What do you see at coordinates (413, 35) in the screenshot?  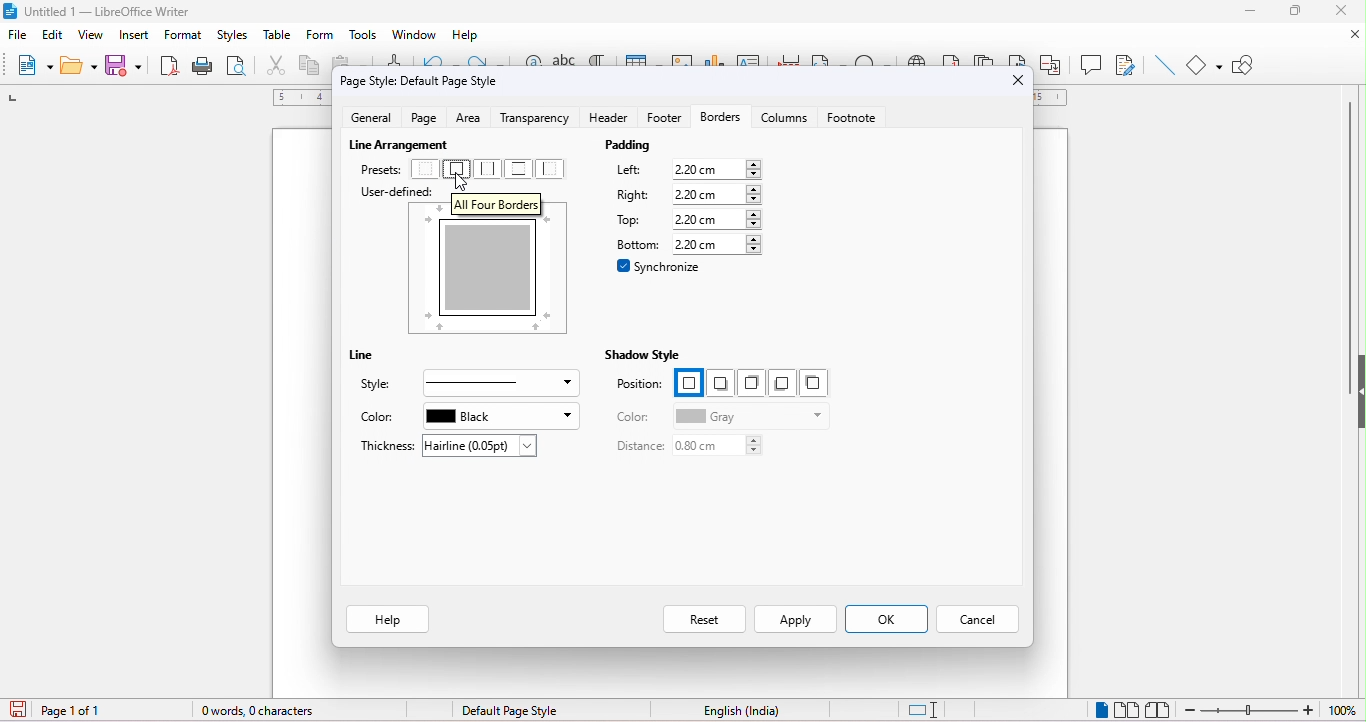 I see `window` at bounding box center [413, 35].